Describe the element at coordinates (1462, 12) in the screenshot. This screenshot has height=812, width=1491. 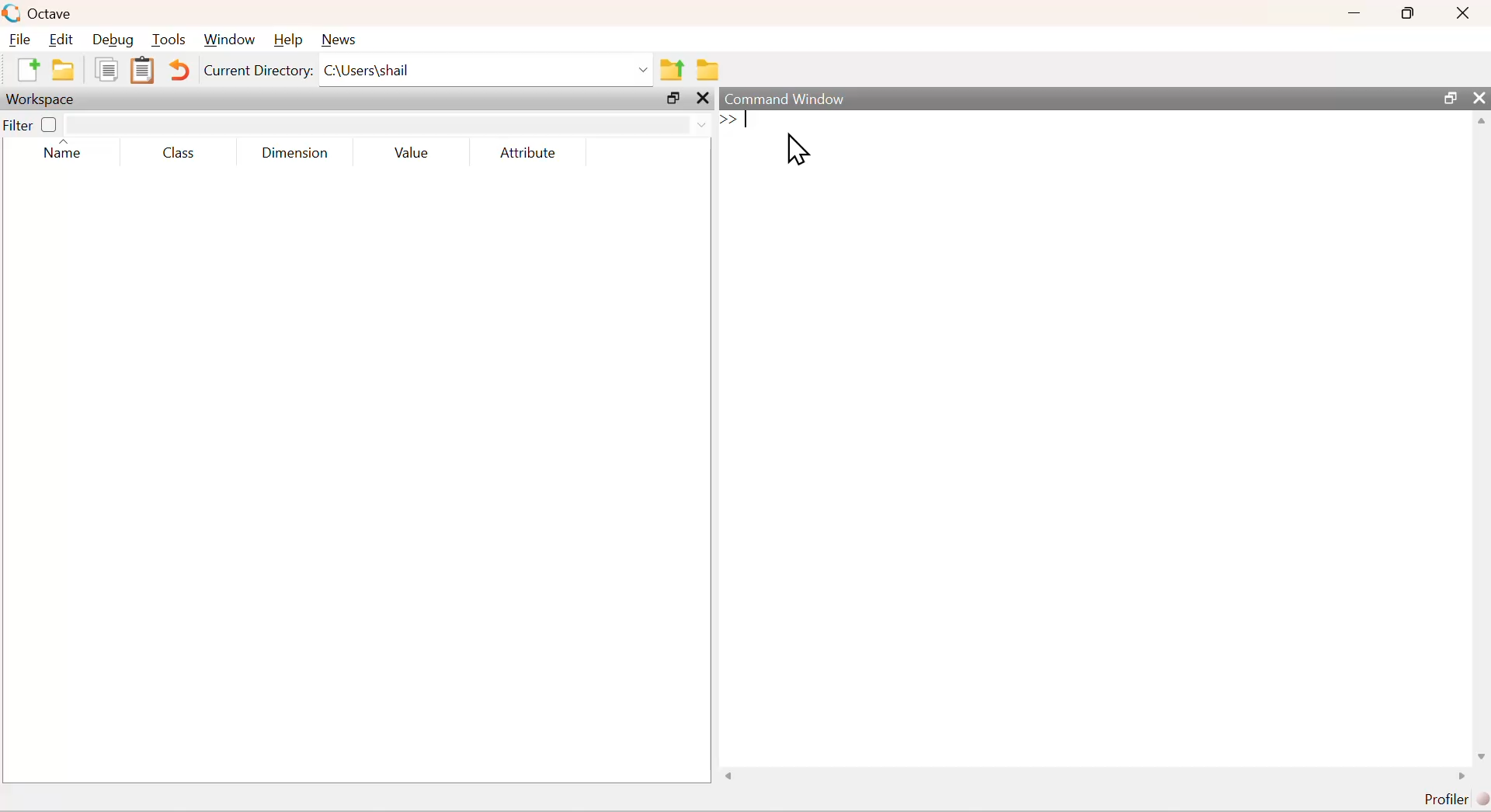
I see `Close` at that location.